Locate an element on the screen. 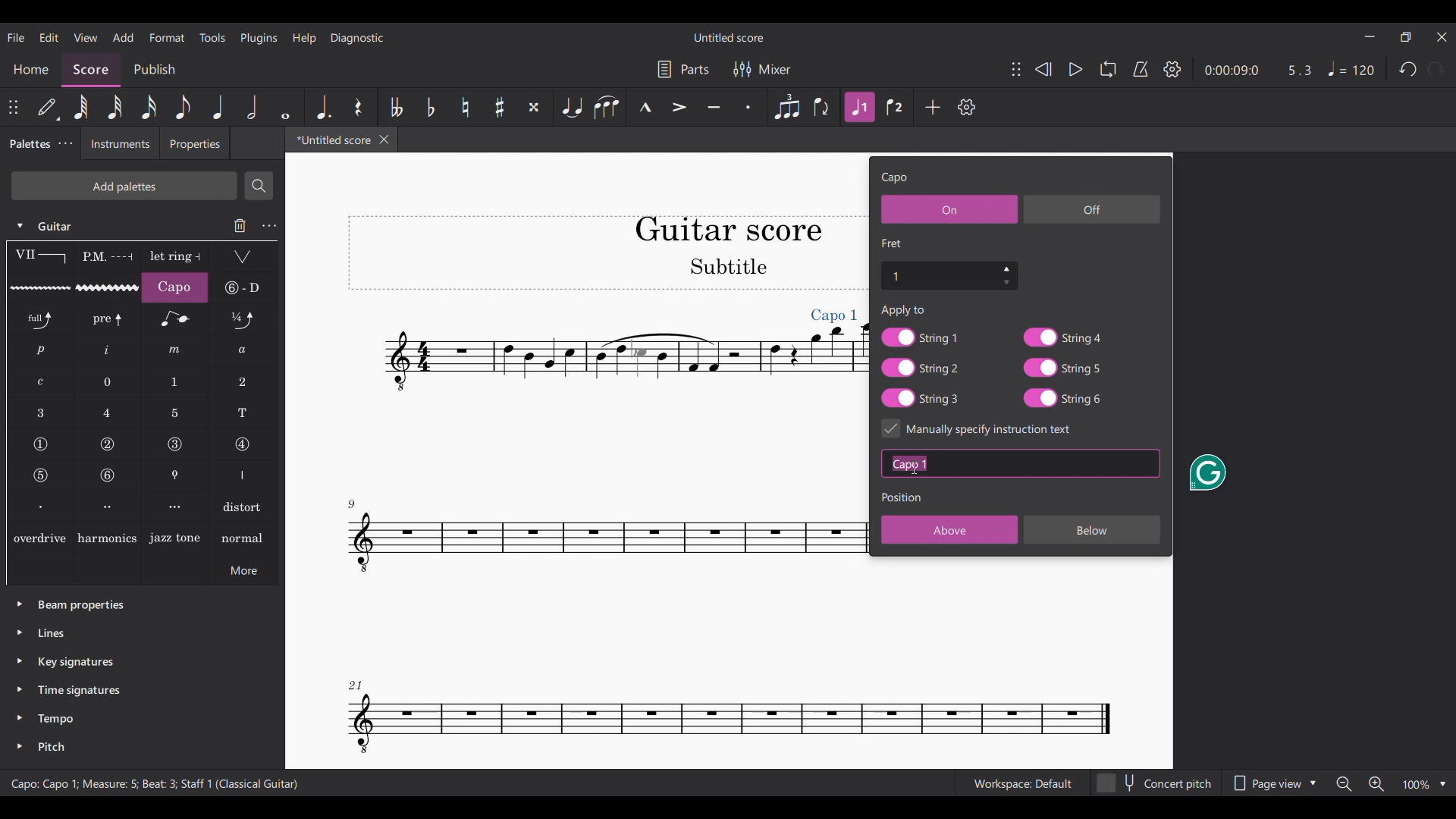  Above is located at coordinates (950, 529).